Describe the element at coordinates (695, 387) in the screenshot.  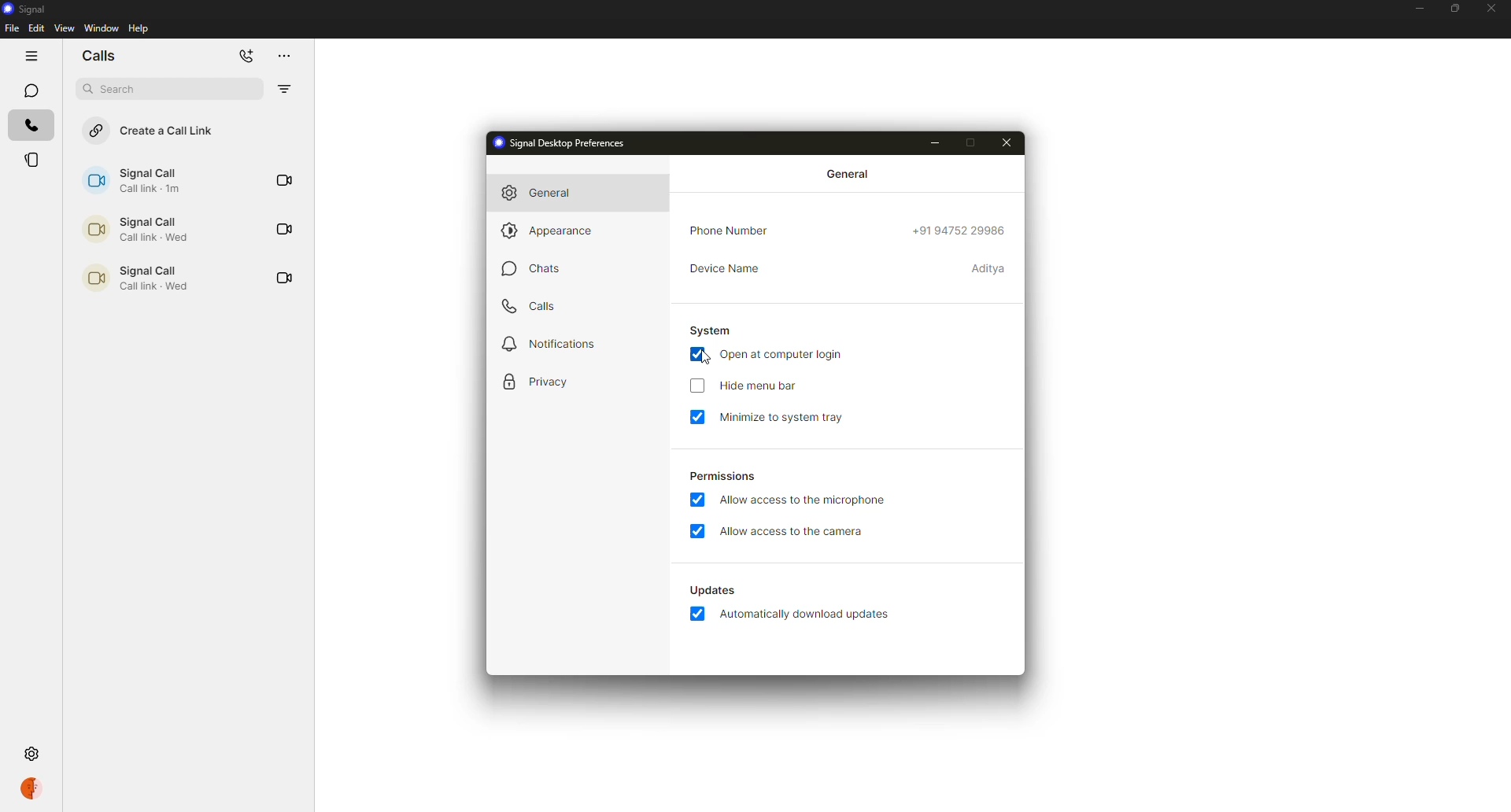
I see `click to enable` at that location.